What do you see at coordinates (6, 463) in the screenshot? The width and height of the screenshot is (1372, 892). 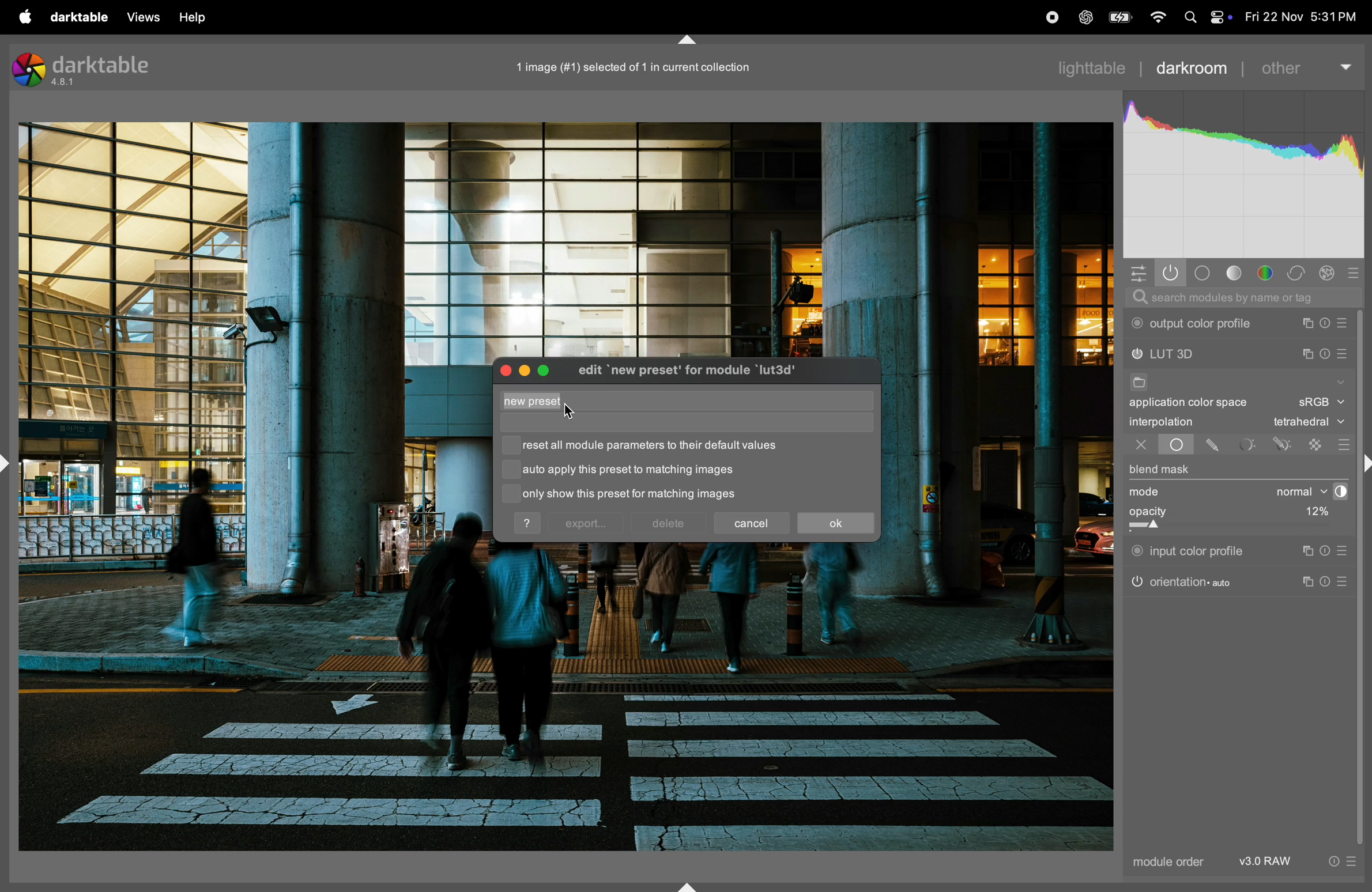 I see `shift+ctrl+l` at bounding box center [6, 463].